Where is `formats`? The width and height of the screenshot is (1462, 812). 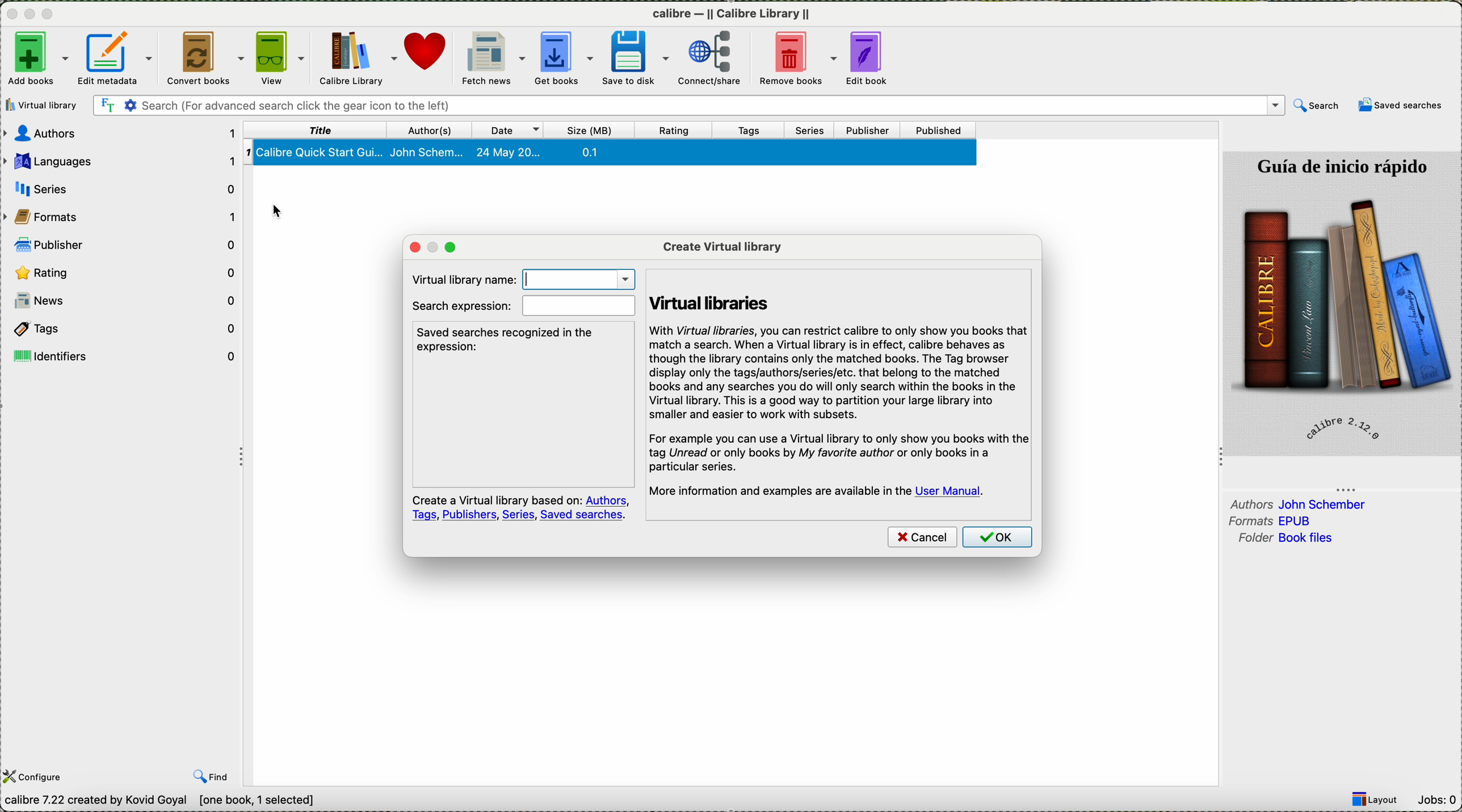 formats is located at coordinates (1275, 521).